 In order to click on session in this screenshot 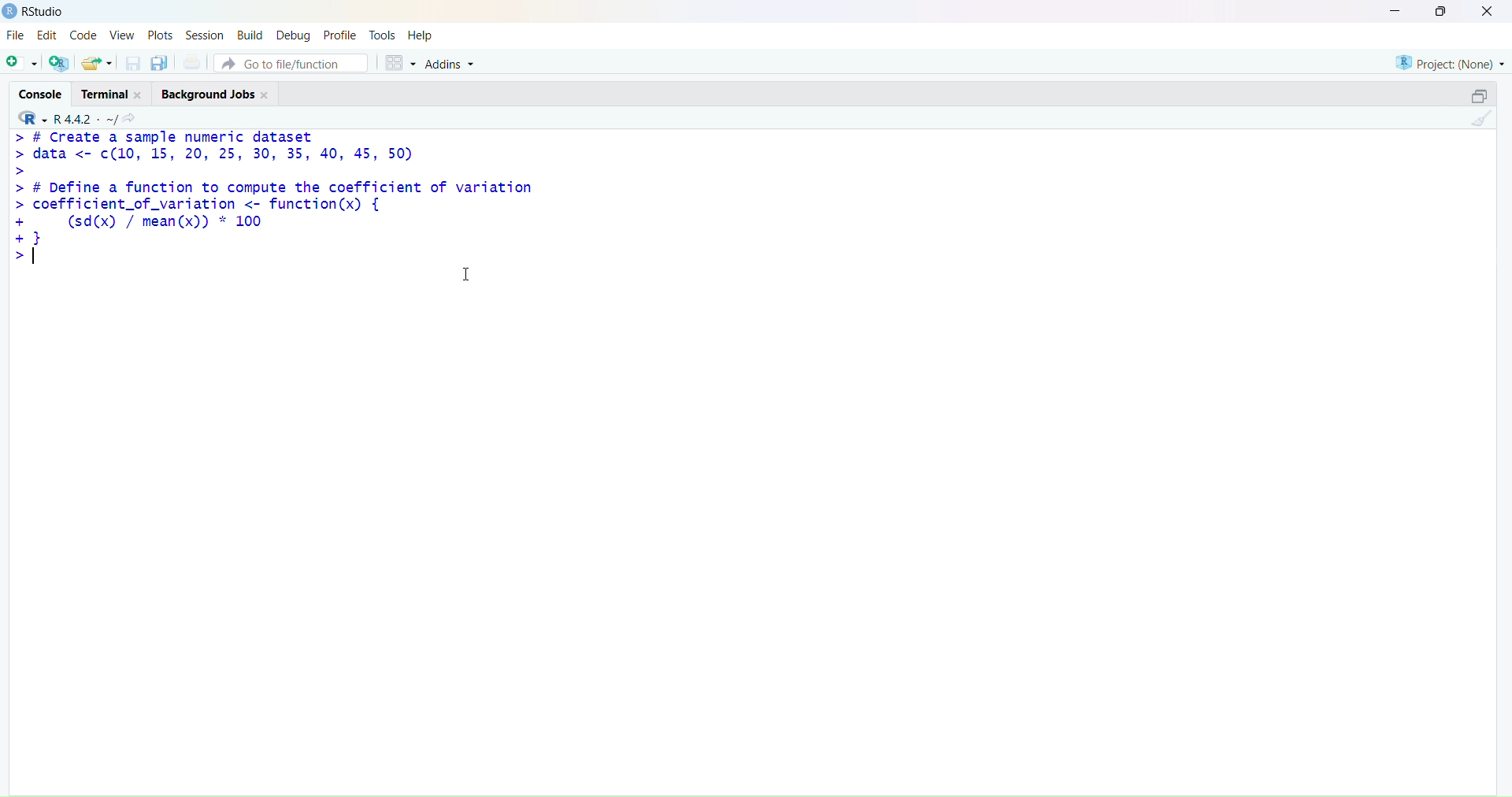, I will do `click(205, 35)`.